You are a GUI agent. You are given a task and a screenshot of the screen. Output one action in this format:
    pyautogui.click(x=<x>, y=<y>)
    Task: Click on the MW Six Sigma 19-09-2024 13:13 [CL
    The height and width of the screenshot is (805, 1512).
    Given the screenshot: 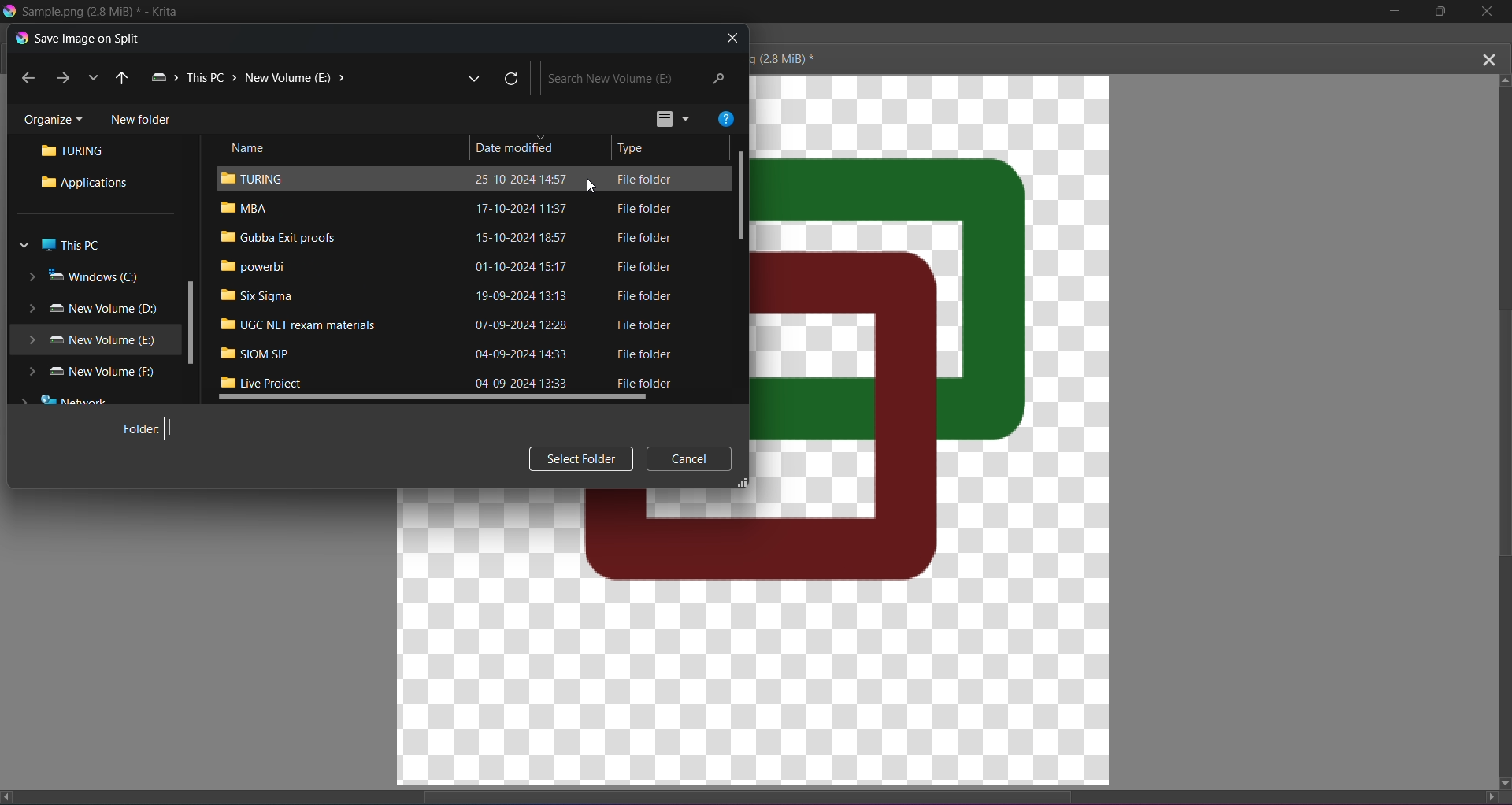 What is the action you would take?
    pyautogui.click(x=458, y=300)
    